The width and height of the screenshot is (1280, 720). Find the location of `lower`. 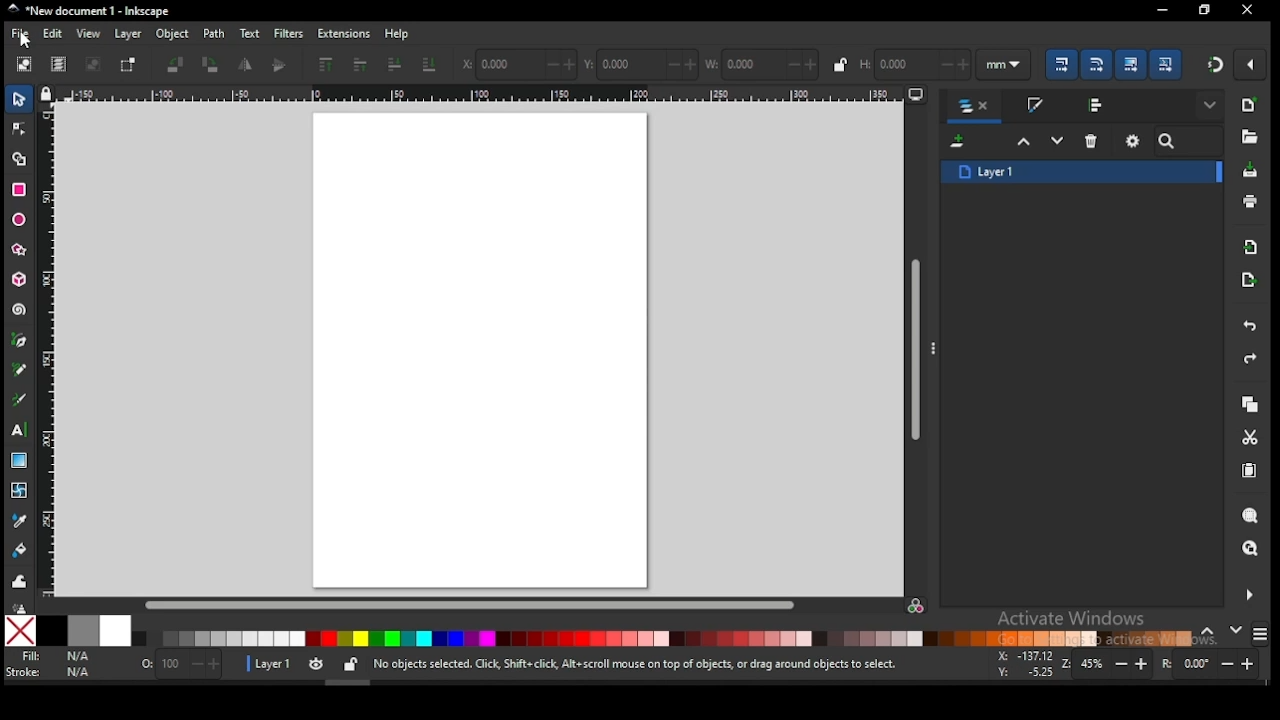

lower is located at coordinates (395, 65).